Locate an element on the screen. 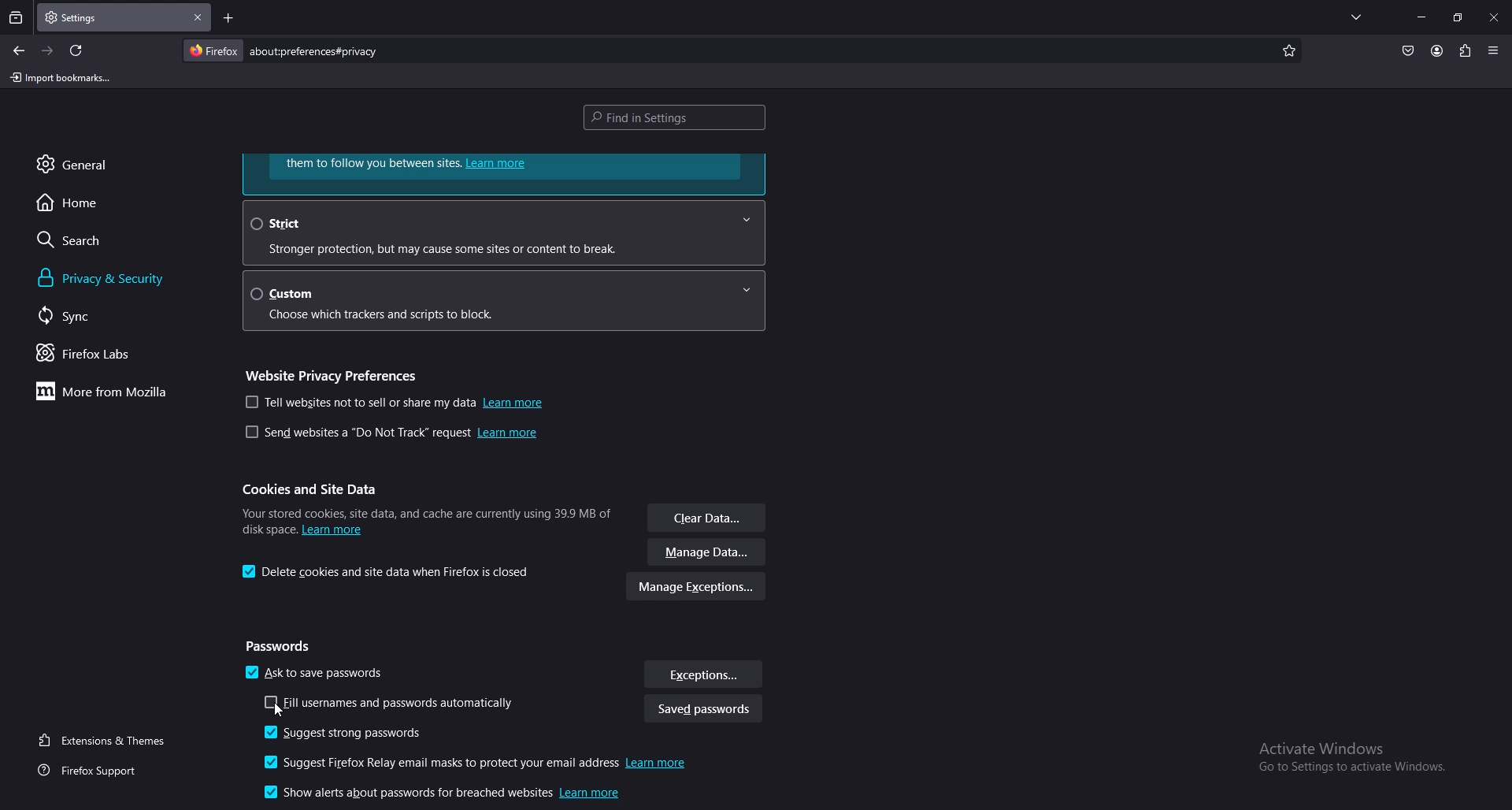 The width and height of the screenshot is (1512, 810). firefox is located at coordinates (213, 50).